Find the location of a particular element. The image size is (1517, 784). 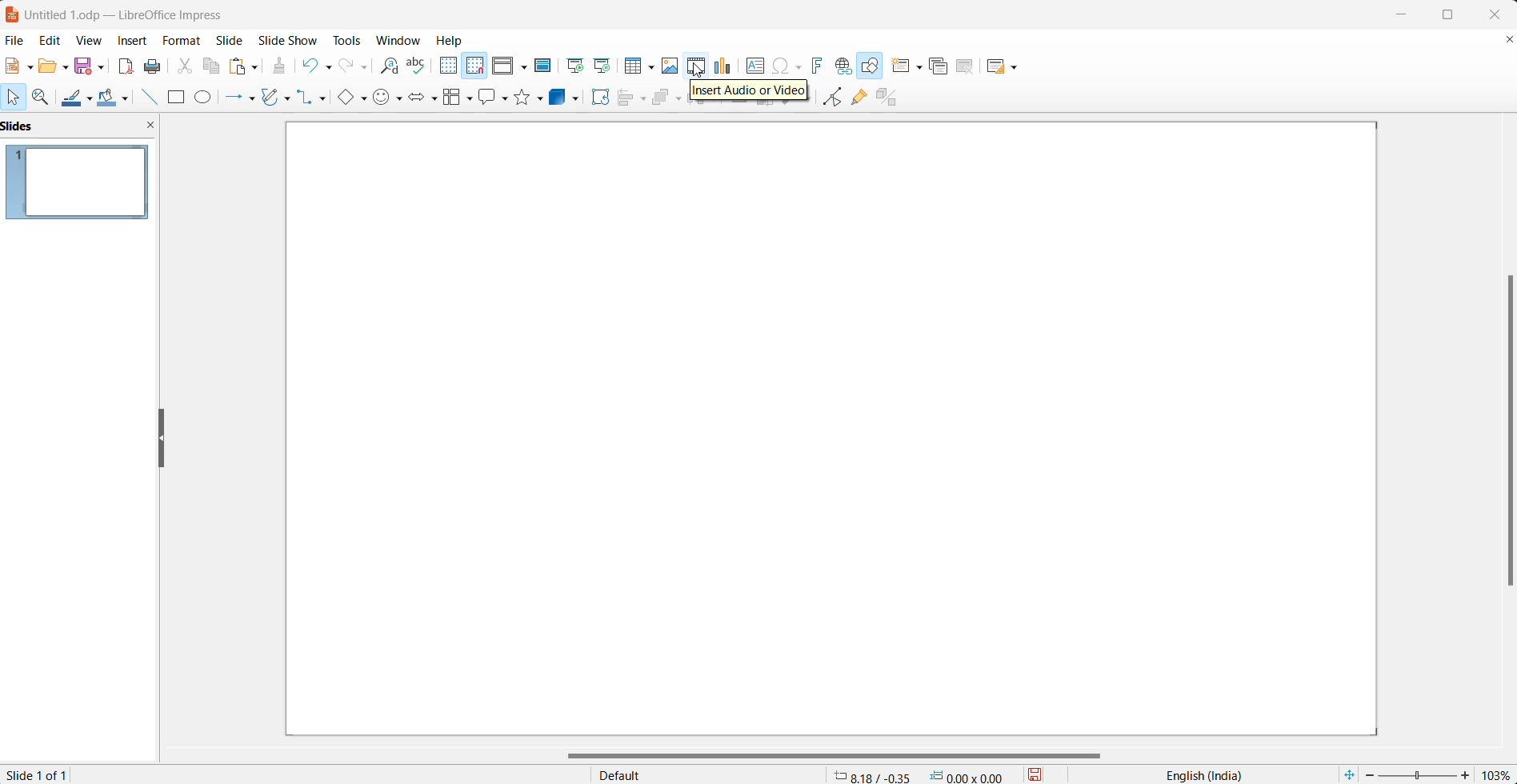

close document is located at coordinates (1508, 41).